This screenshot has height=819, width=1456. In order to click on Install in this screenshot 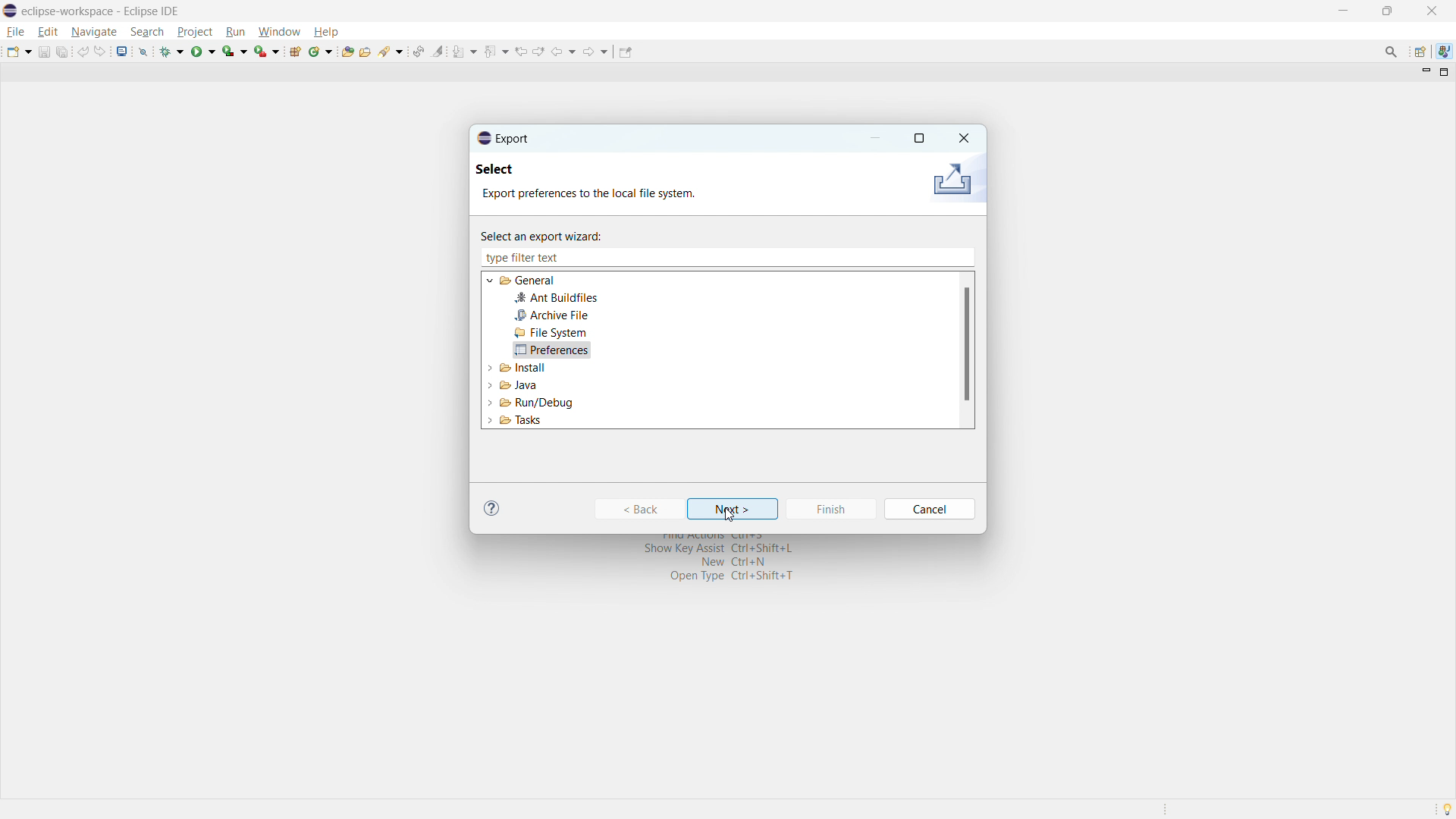, I will do `click(521, 369)`.